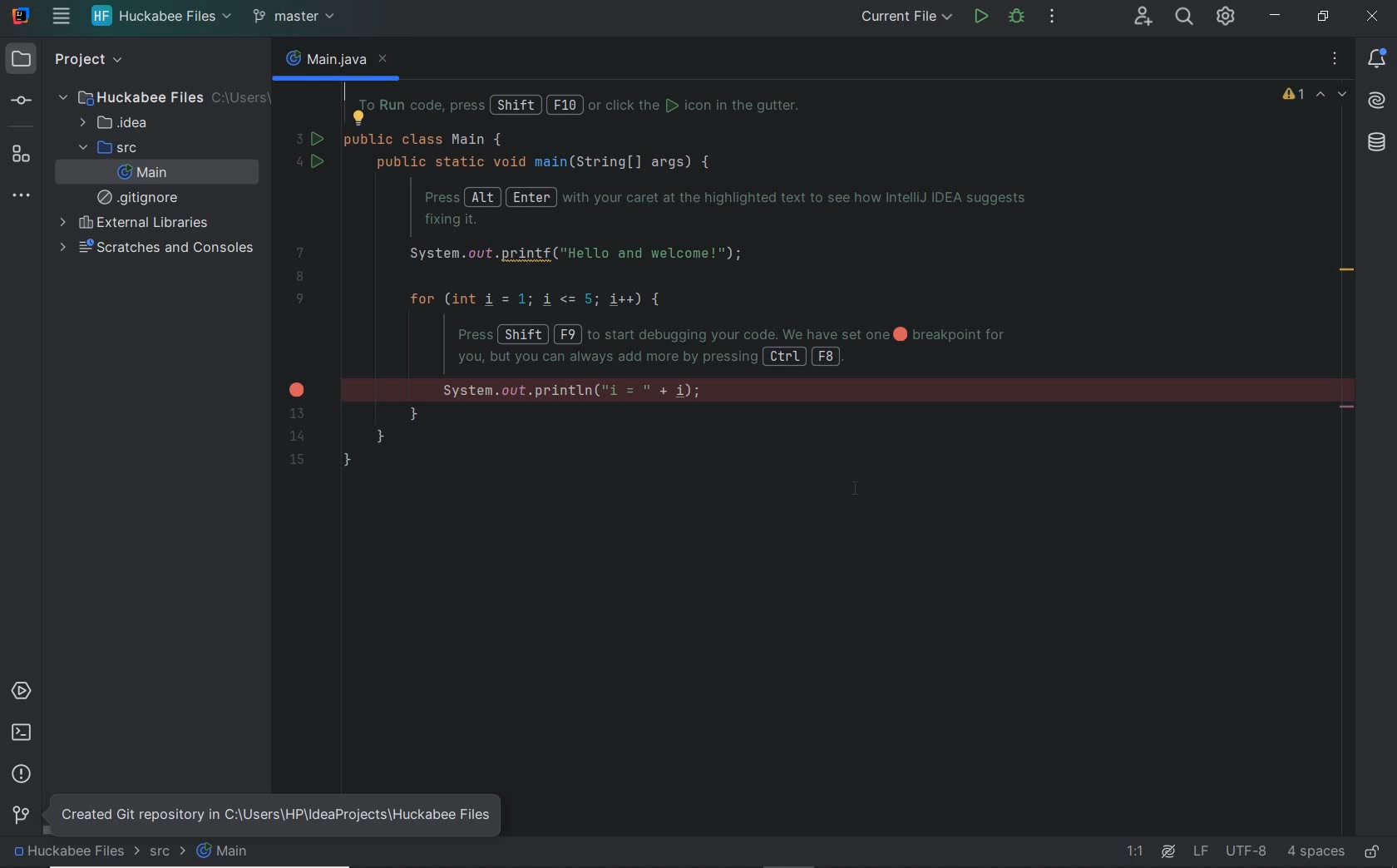 The width and height of the screenshot is (1397, 868). Describe the element at coordinates (1185, 18) in the screenshot. I see `SEARCH EVERYWHERE` at that location.